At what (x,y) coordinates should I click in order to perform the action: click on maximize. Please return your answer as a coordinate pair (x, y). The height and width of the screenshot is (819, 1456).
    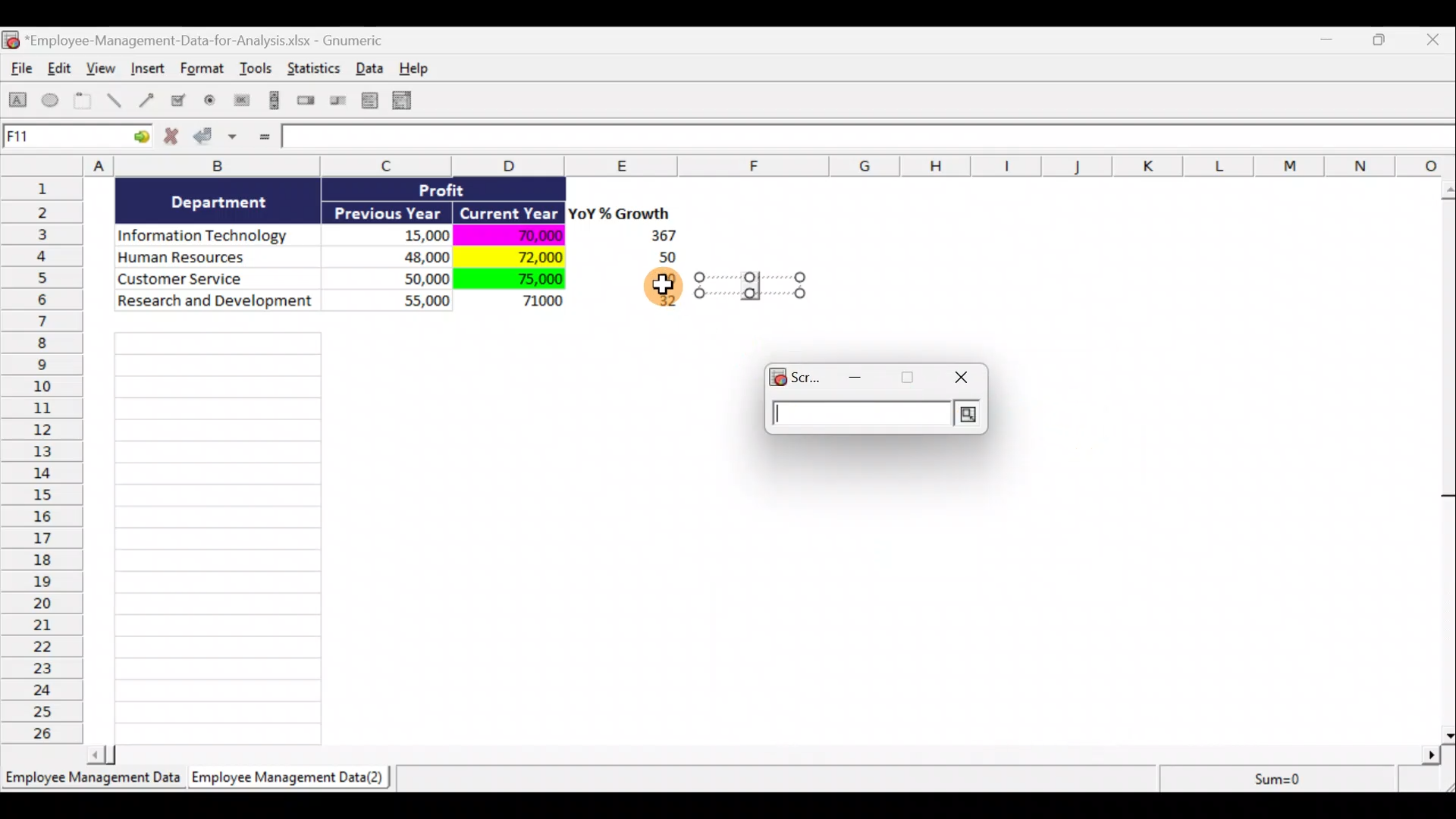
    Looking at the image, I should click on (908, 378).